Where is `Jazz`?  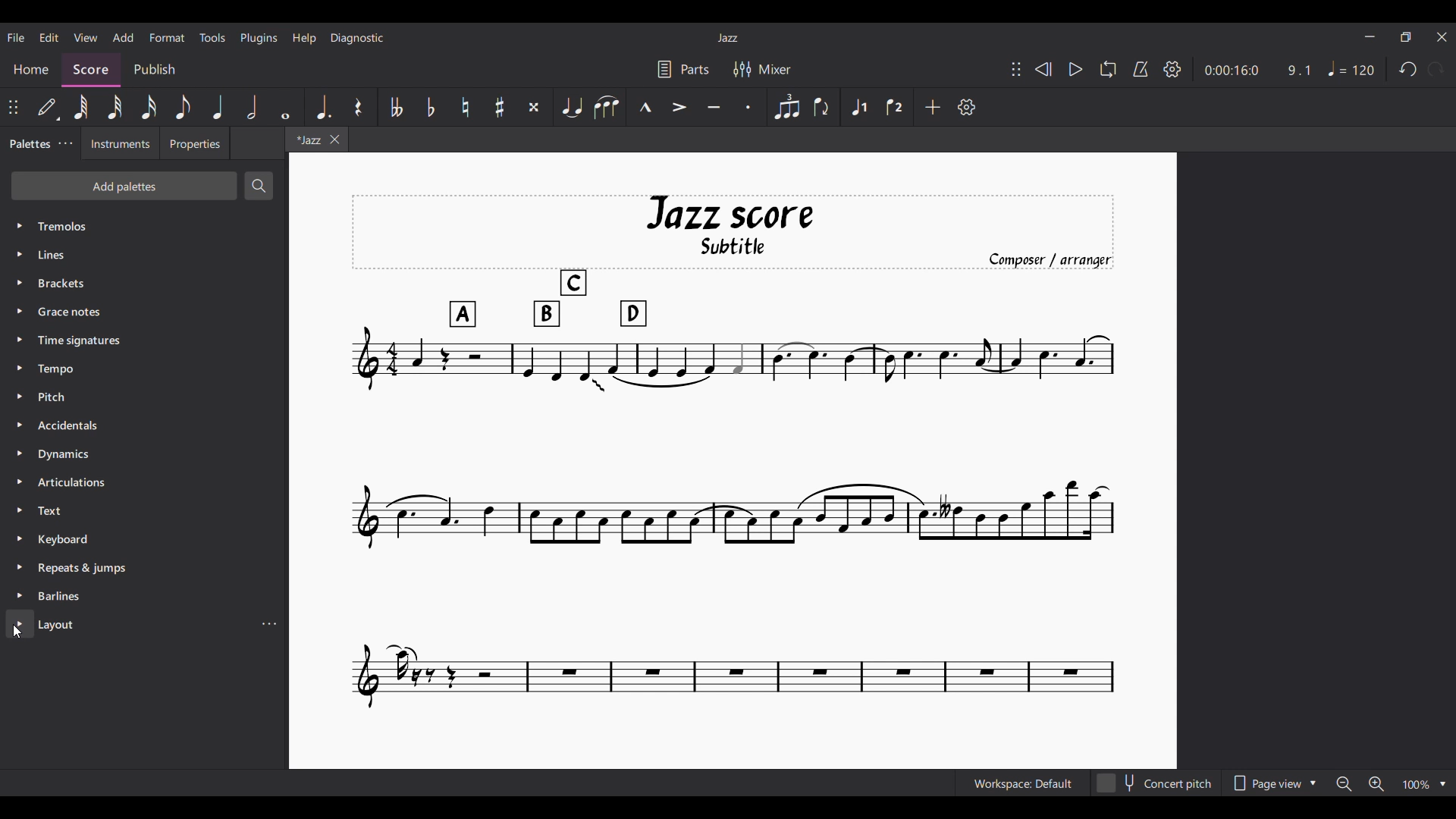
Jazz is located at coordinates (727, 38).